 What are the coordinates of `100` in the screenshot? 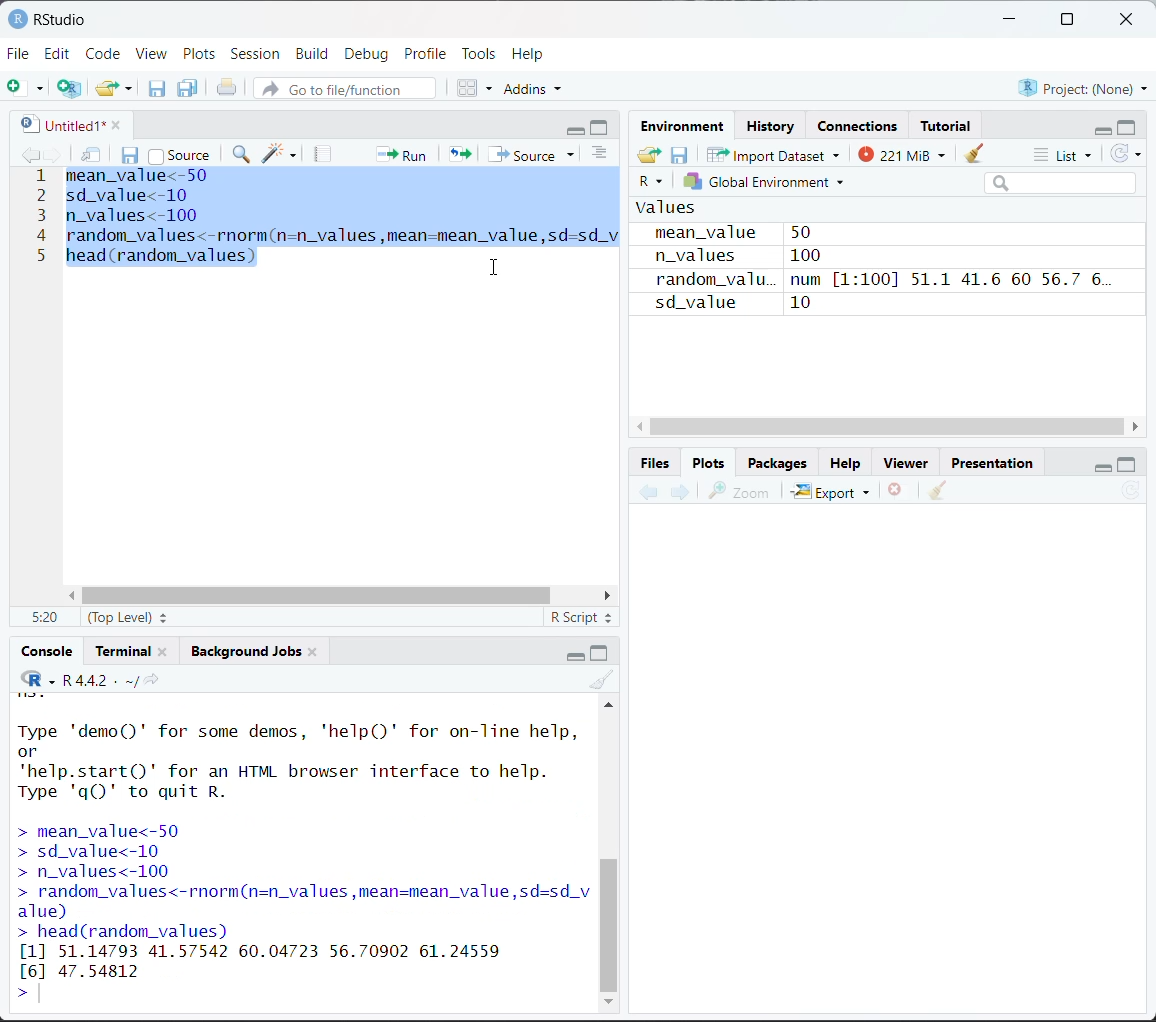 It's located at (809, 255).